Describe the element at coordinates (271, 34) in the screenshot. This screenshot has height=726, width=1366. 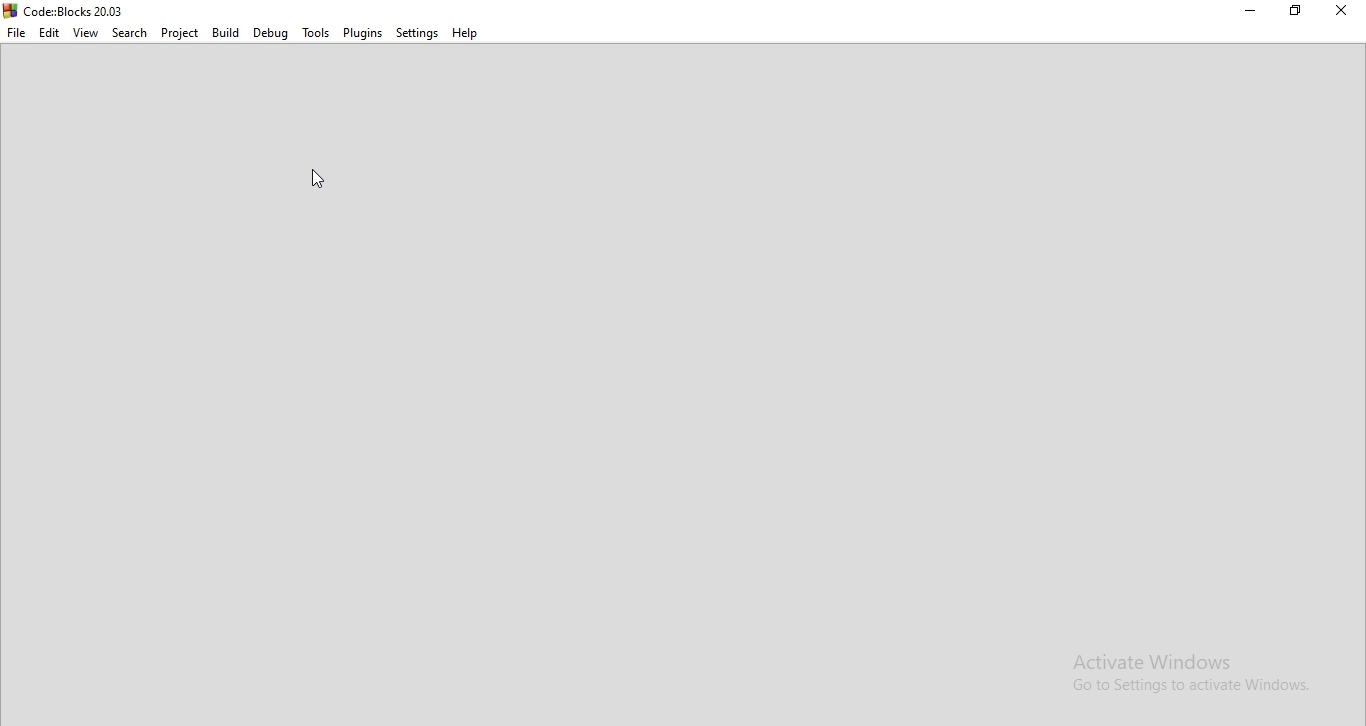
I see `Debug ` at that location.